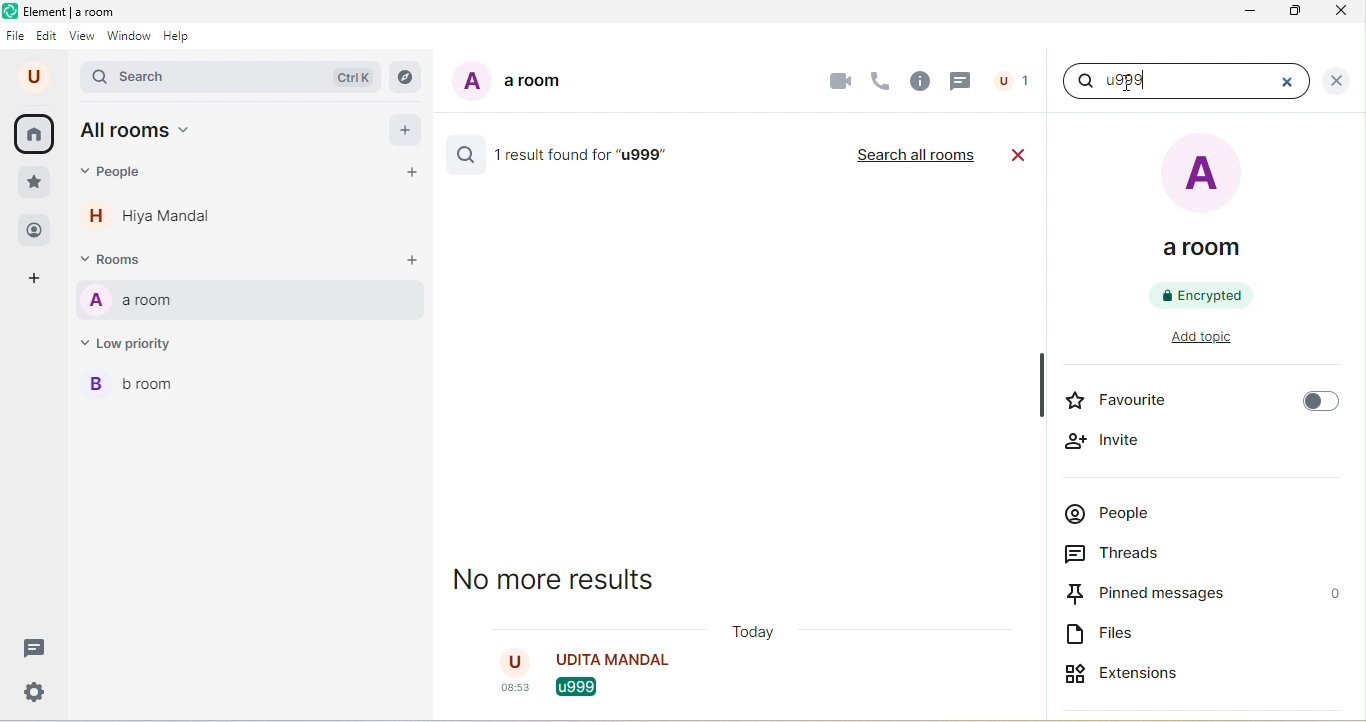  Describe the element at coordinates (1204, 594) in the screenshot. I see `pinned message` at that location.